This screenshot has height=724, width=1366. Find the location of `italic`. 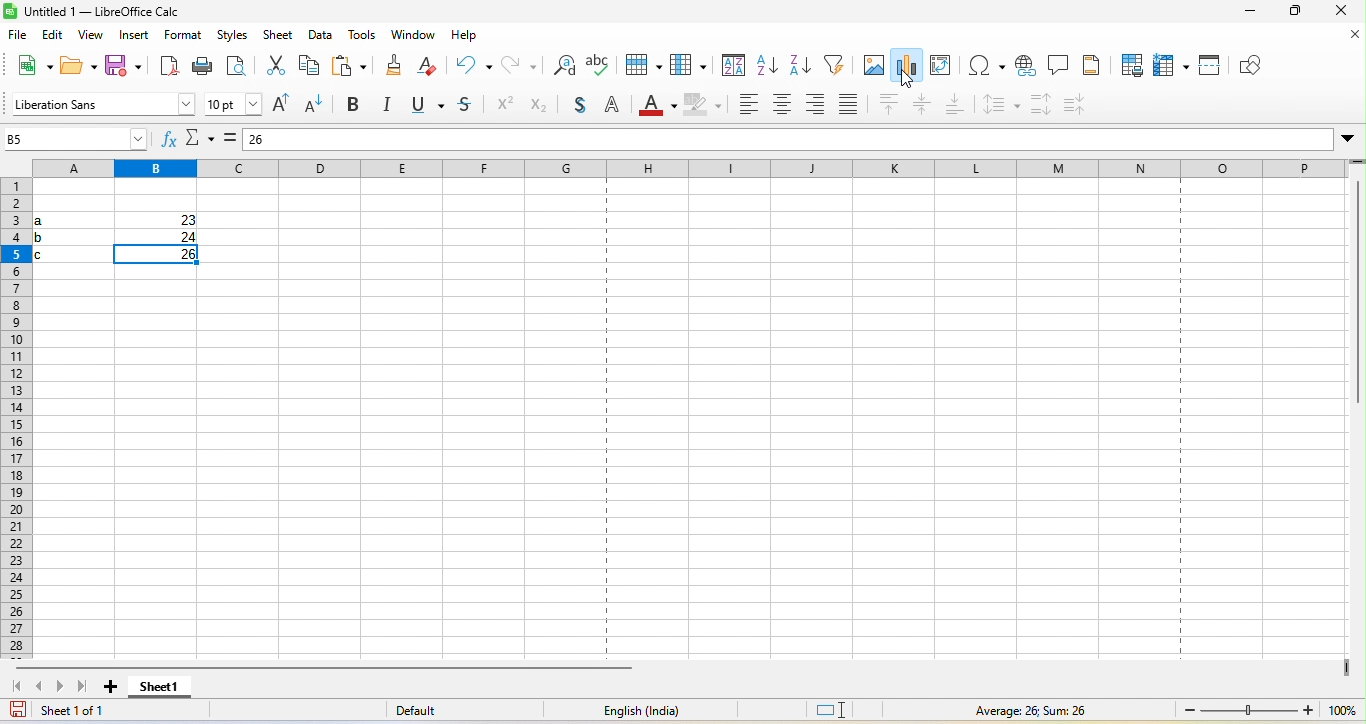

italic is located at coordinates (391, 105).